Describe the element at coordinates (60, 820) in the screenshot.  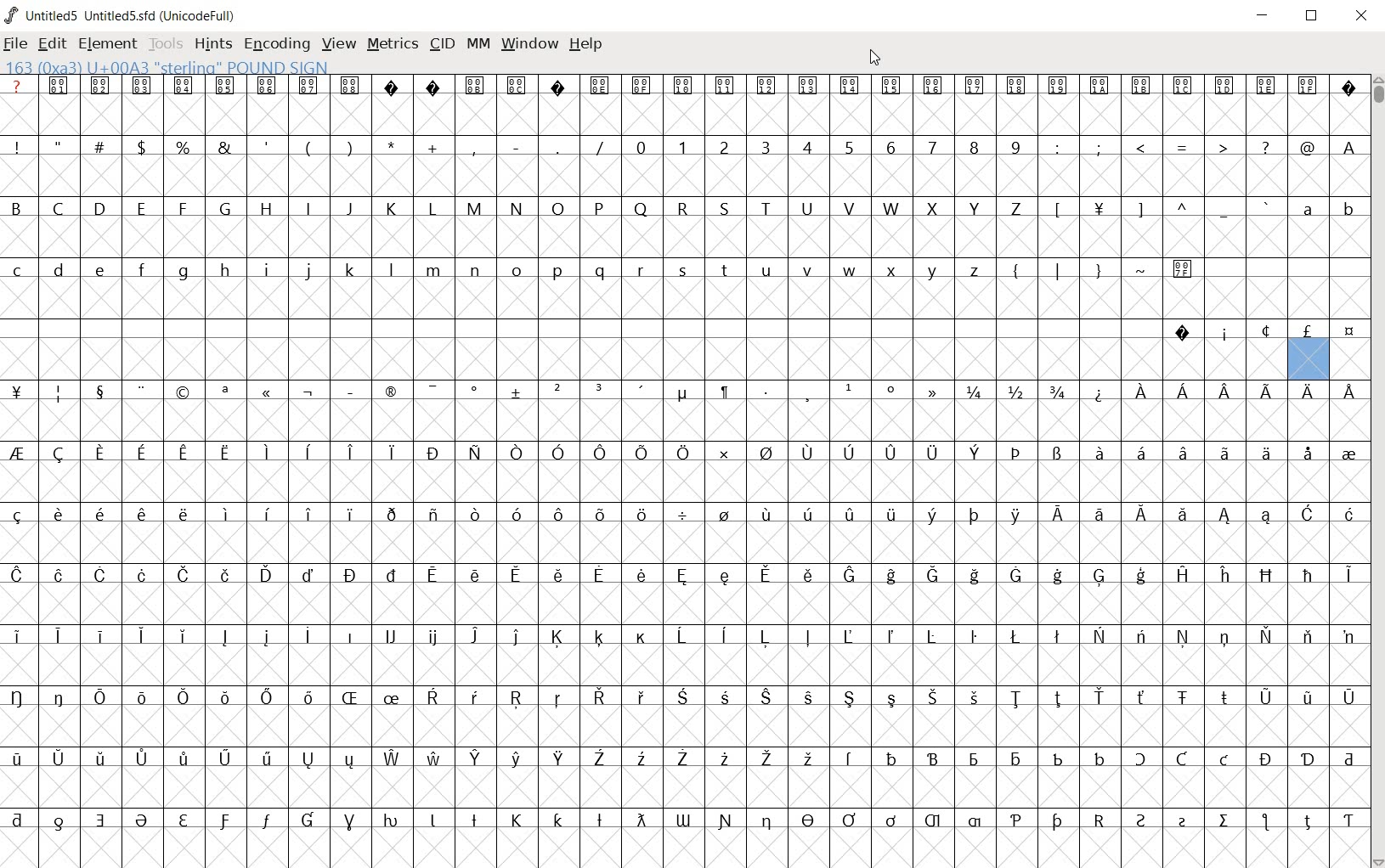
I see `Symbol` at that location.